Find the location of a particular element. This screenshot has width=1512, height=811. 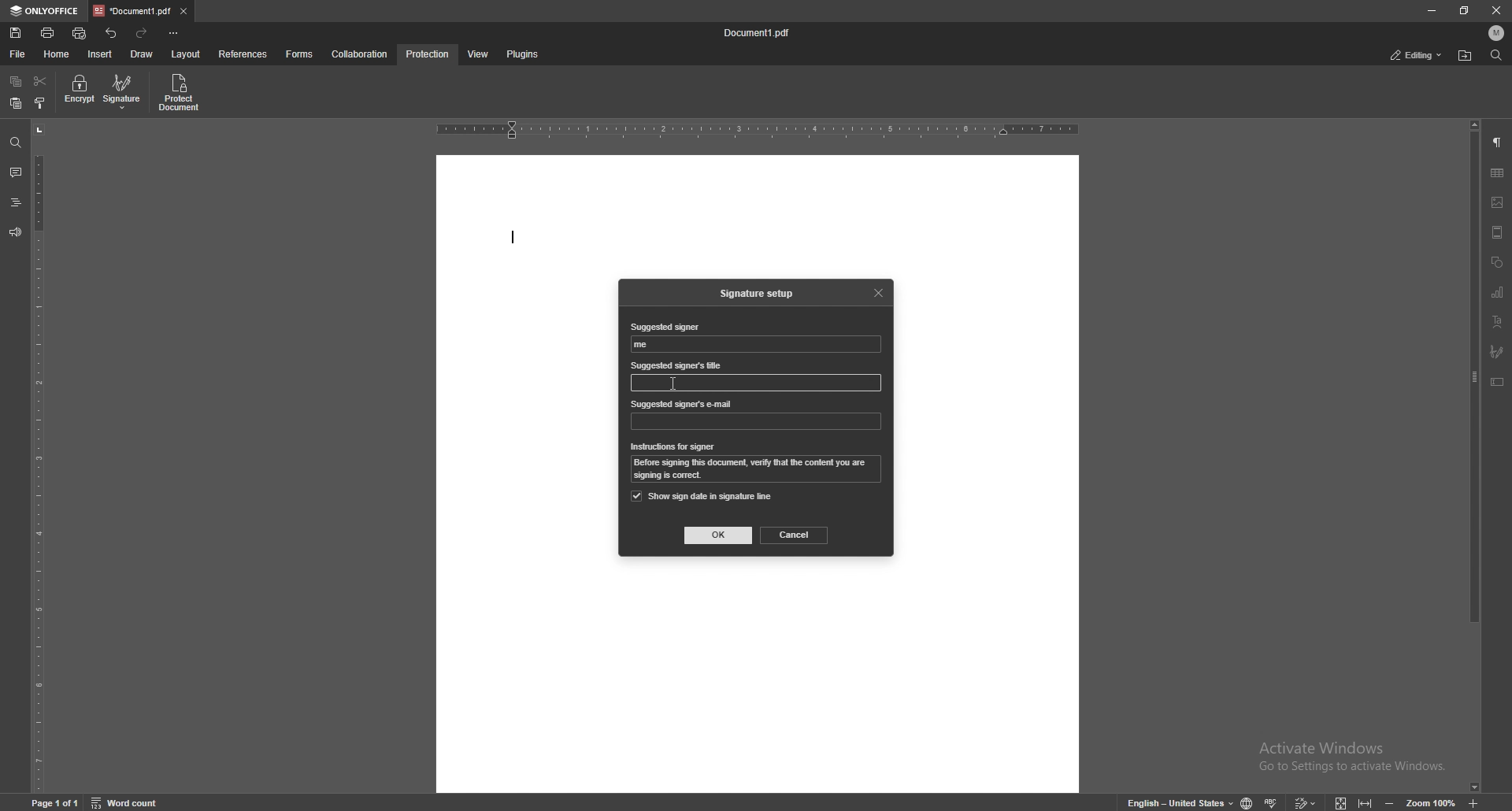

redo is located at coordinates (143, 33).